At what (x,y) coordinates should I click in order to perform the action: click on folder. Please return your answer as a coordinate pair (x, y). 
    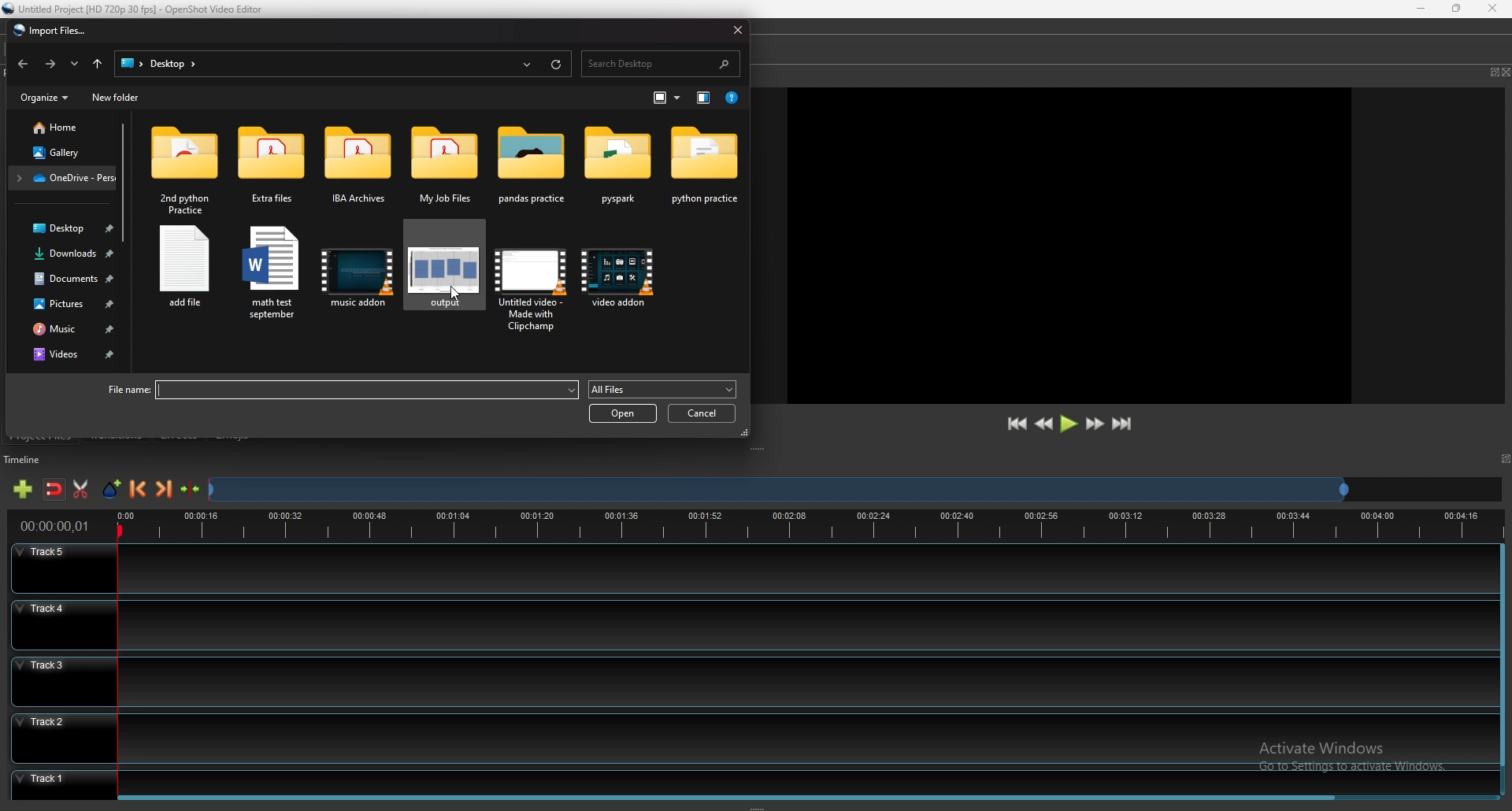
    Looking at the image, I should click on (271, 171).